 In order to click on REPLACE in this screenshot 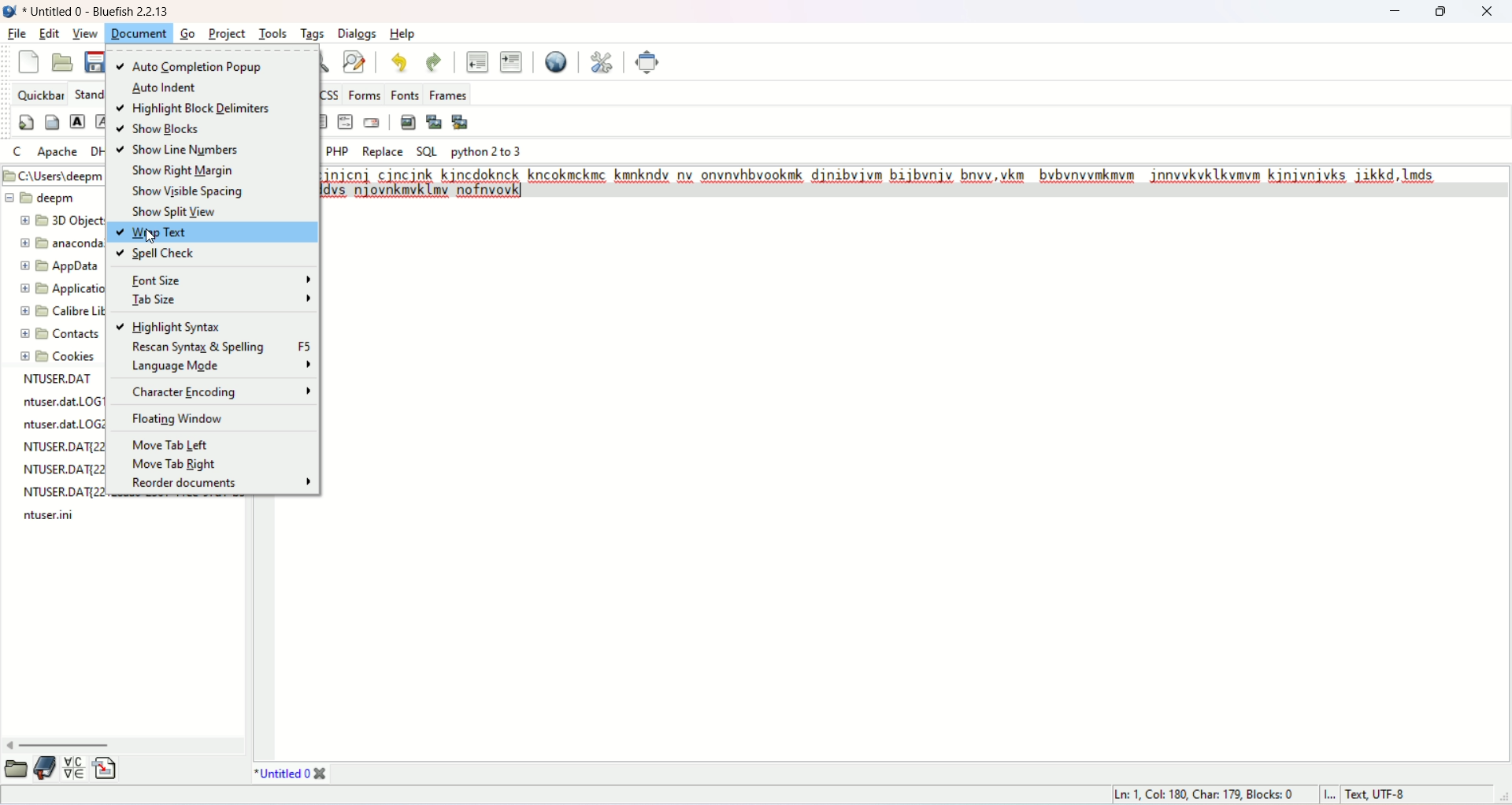, I will do `click(384, 151)`.